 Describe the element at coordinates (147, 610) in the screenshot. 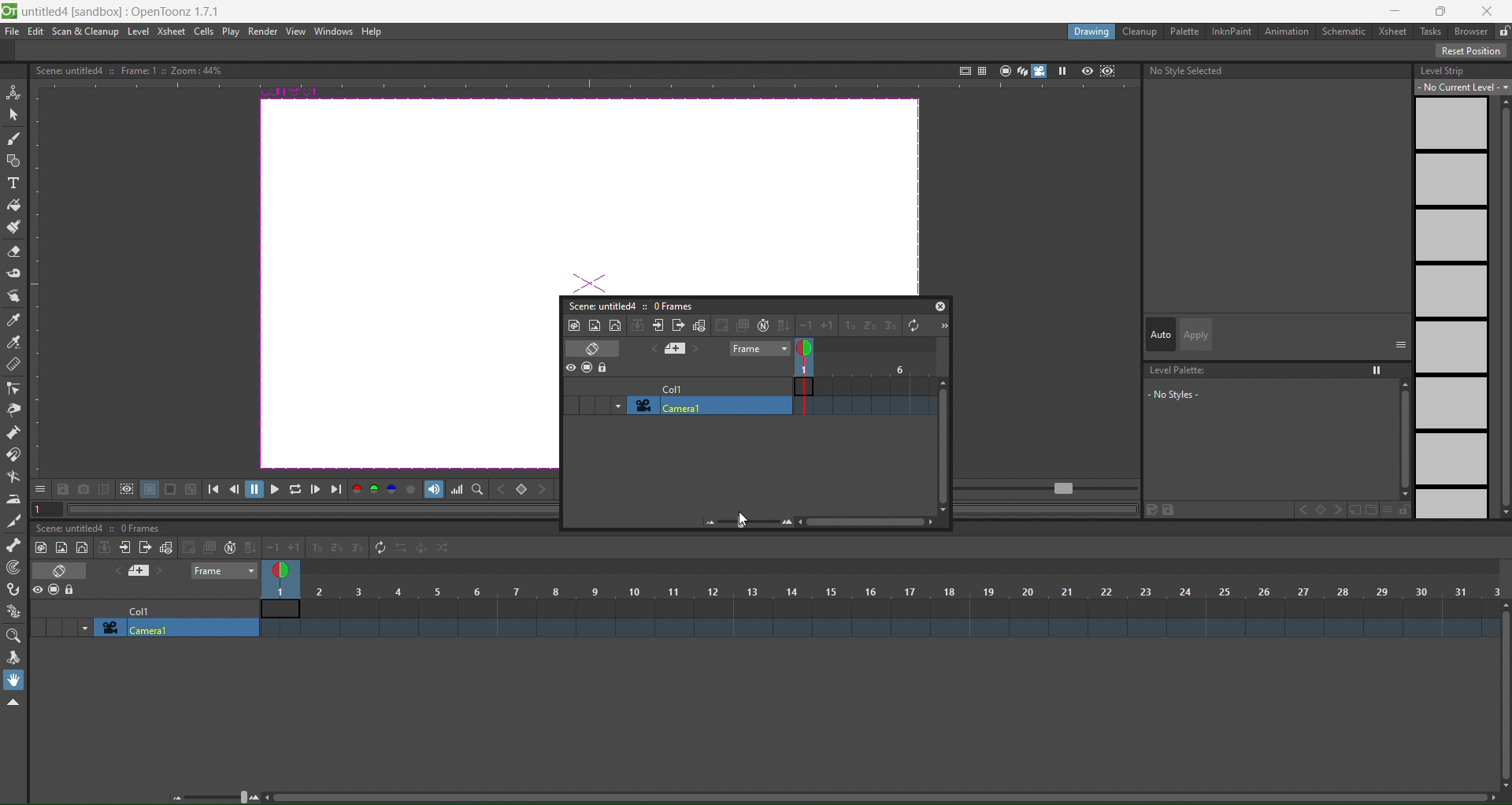

I see `col1` at that location.